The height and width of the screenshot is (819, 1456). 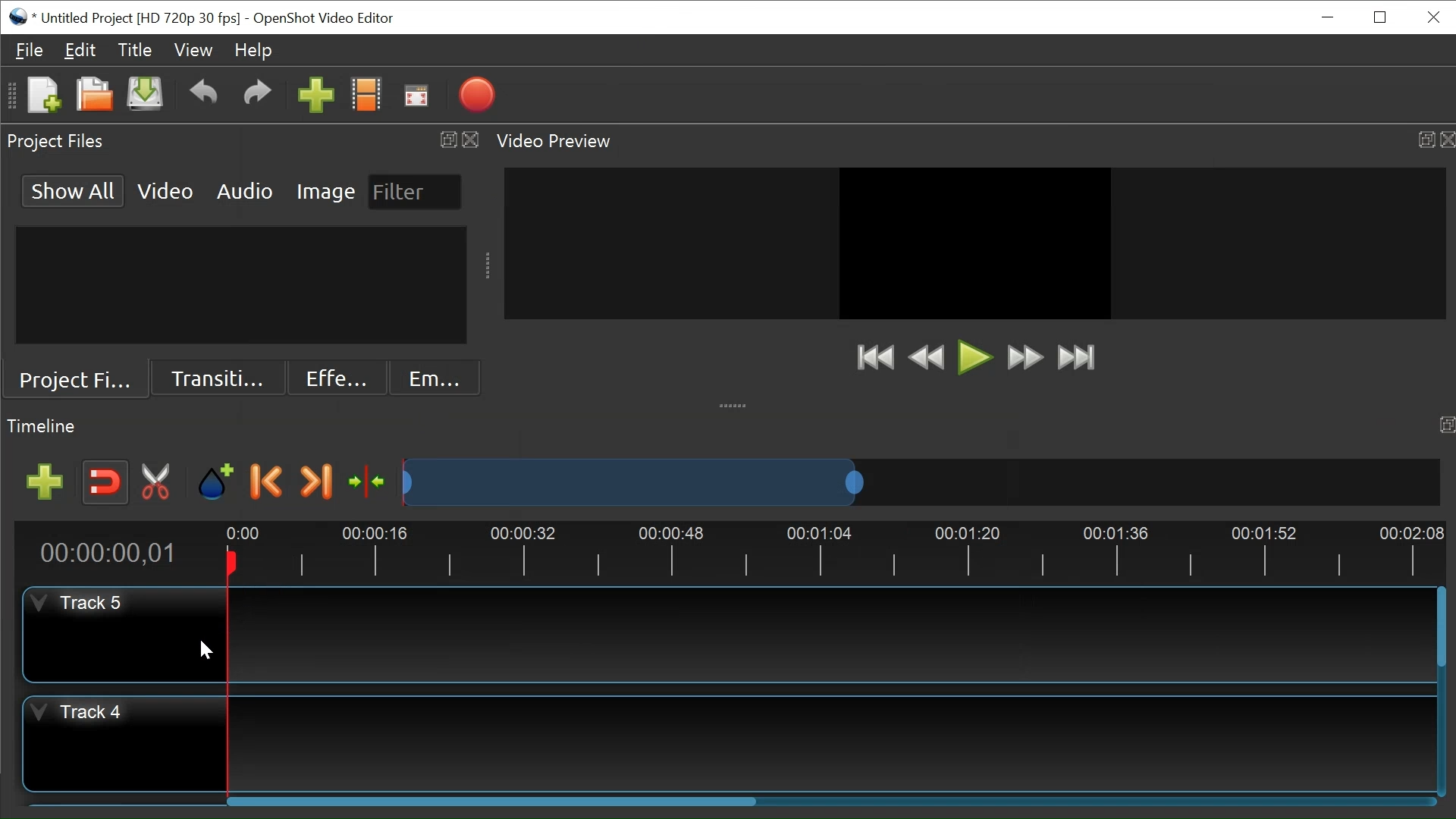 I want to click on Edit, so click(x=80, y=49).